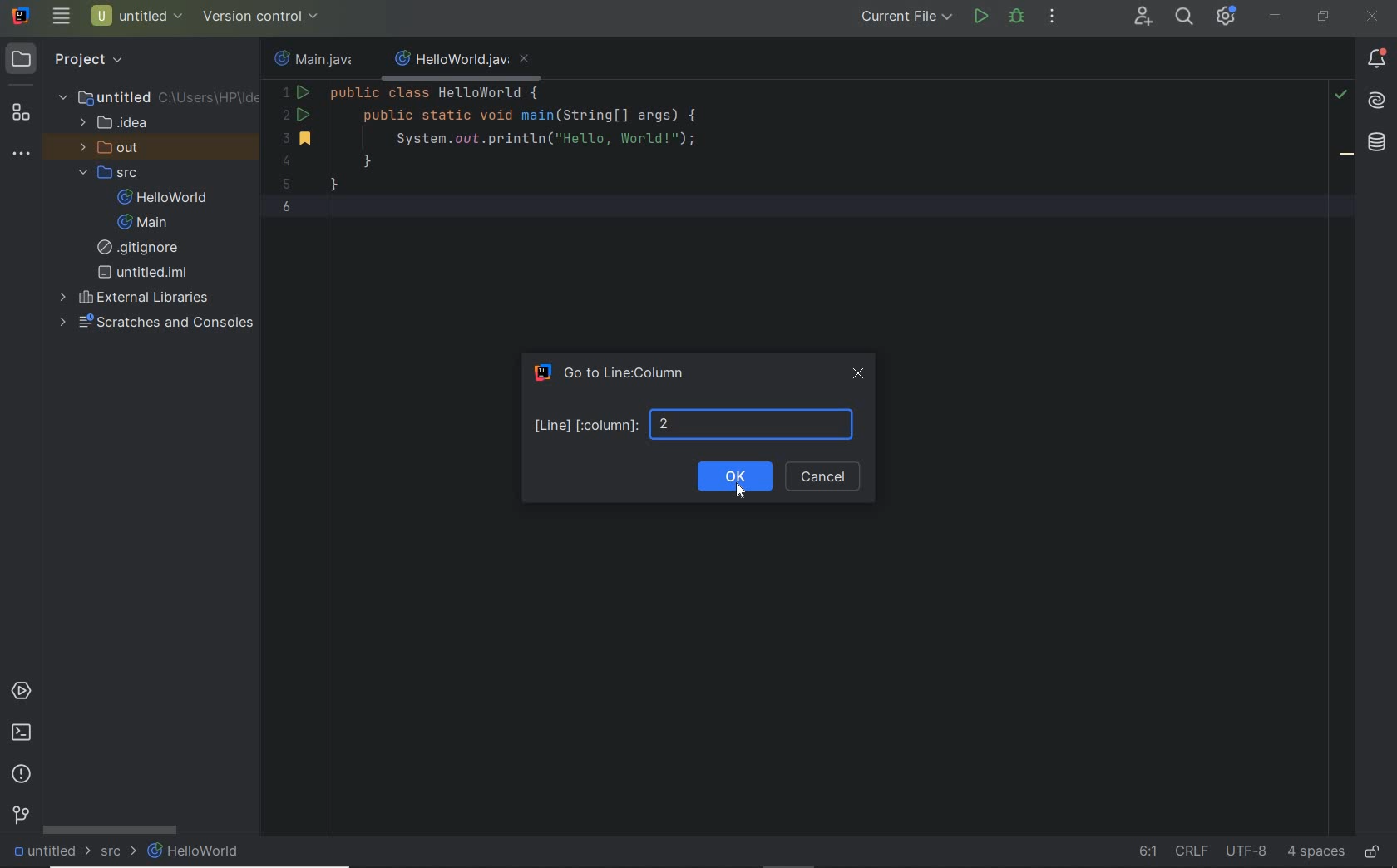 This screenshot has height=868, width=1397. Describe the element at coordinates (62, 16) in the screenshot. I see `main menu` at that location.